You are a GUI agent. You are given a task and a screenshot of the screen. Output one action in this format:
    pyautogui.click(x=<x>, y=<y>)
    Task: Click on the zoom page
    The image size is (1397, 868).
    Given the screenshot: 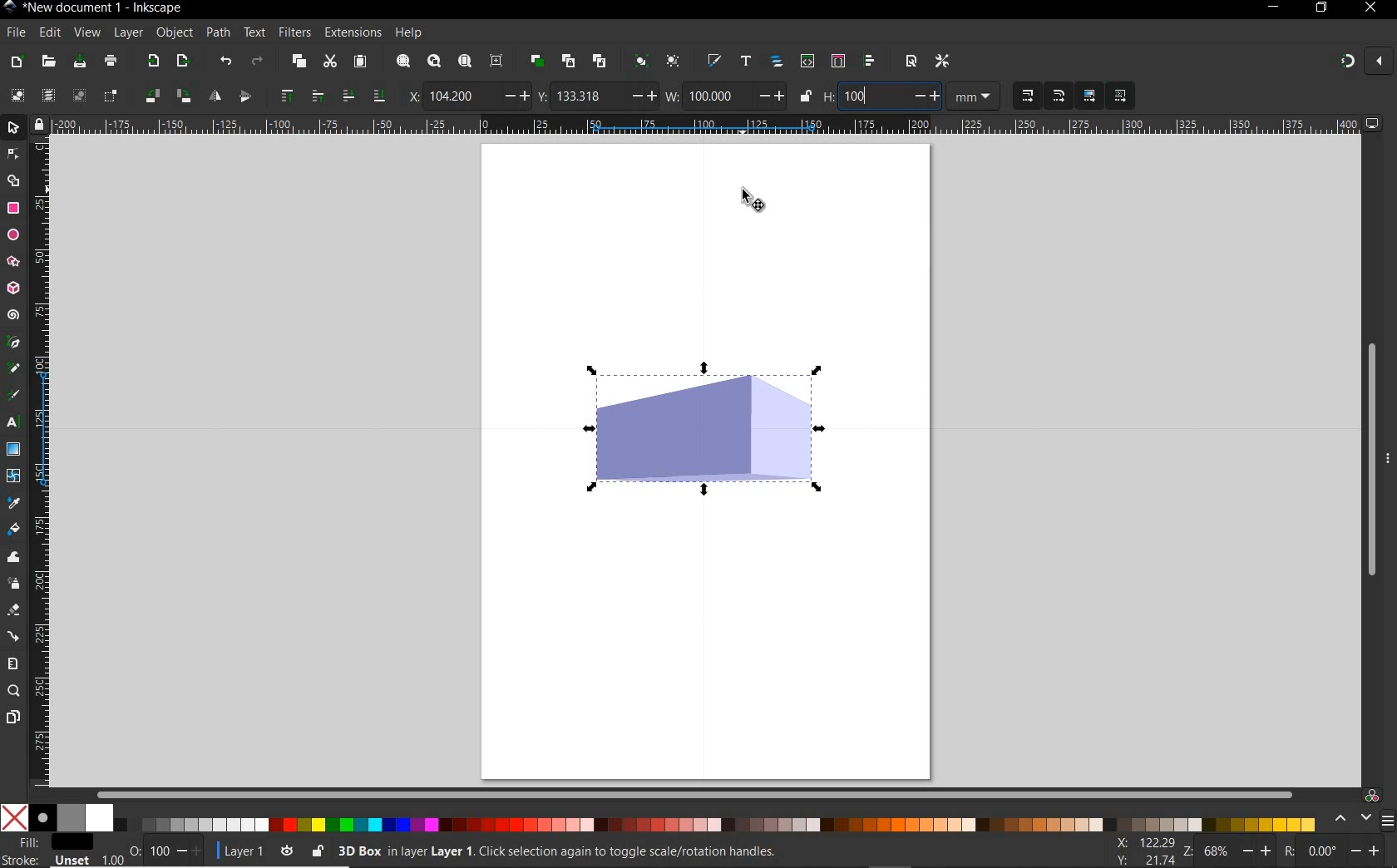 What is the action you would take?
    pyautogui.click(x=464, y=60)
    